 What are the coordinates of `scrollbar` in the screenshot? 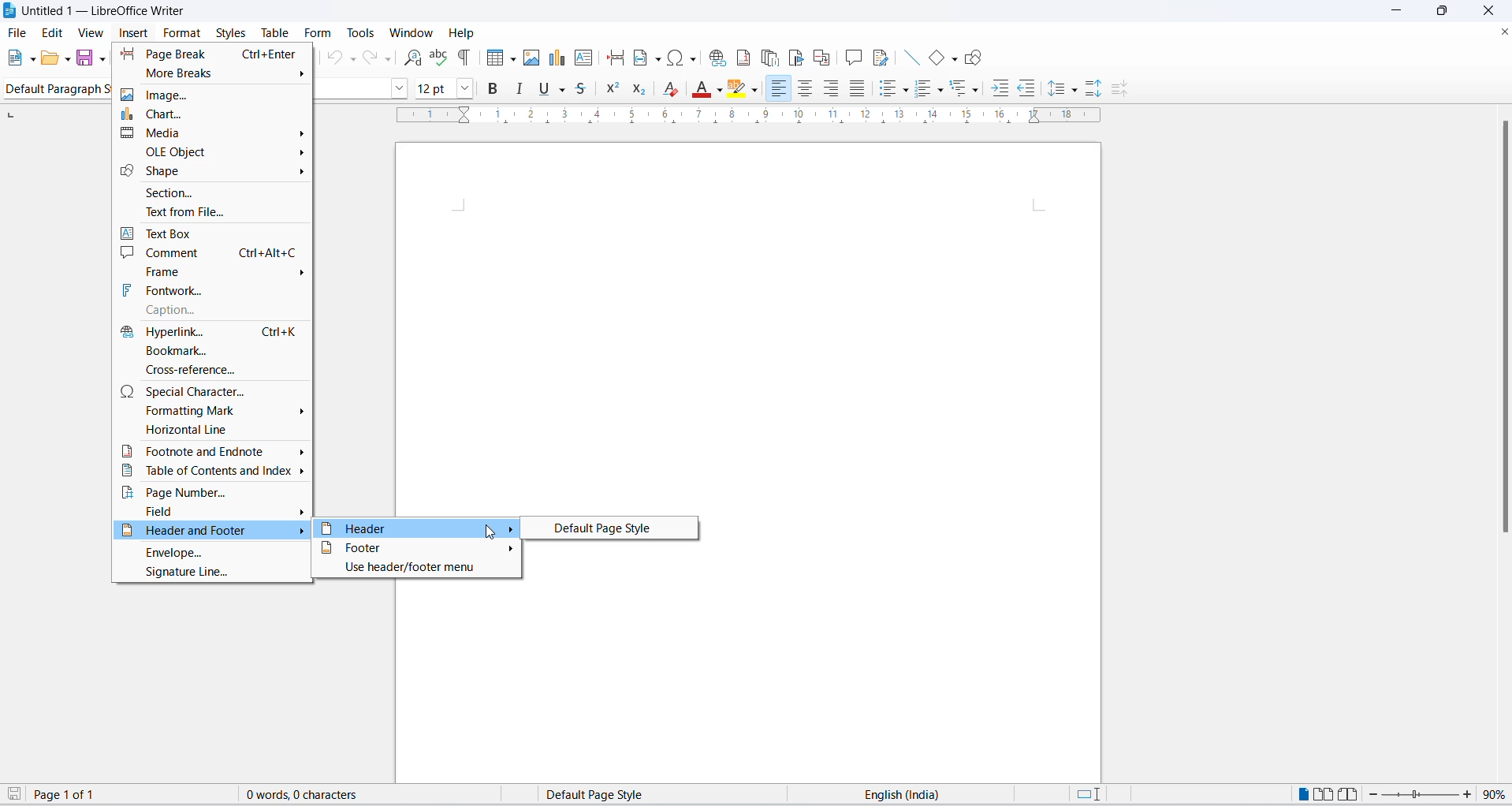 It's located at (1501, 330).